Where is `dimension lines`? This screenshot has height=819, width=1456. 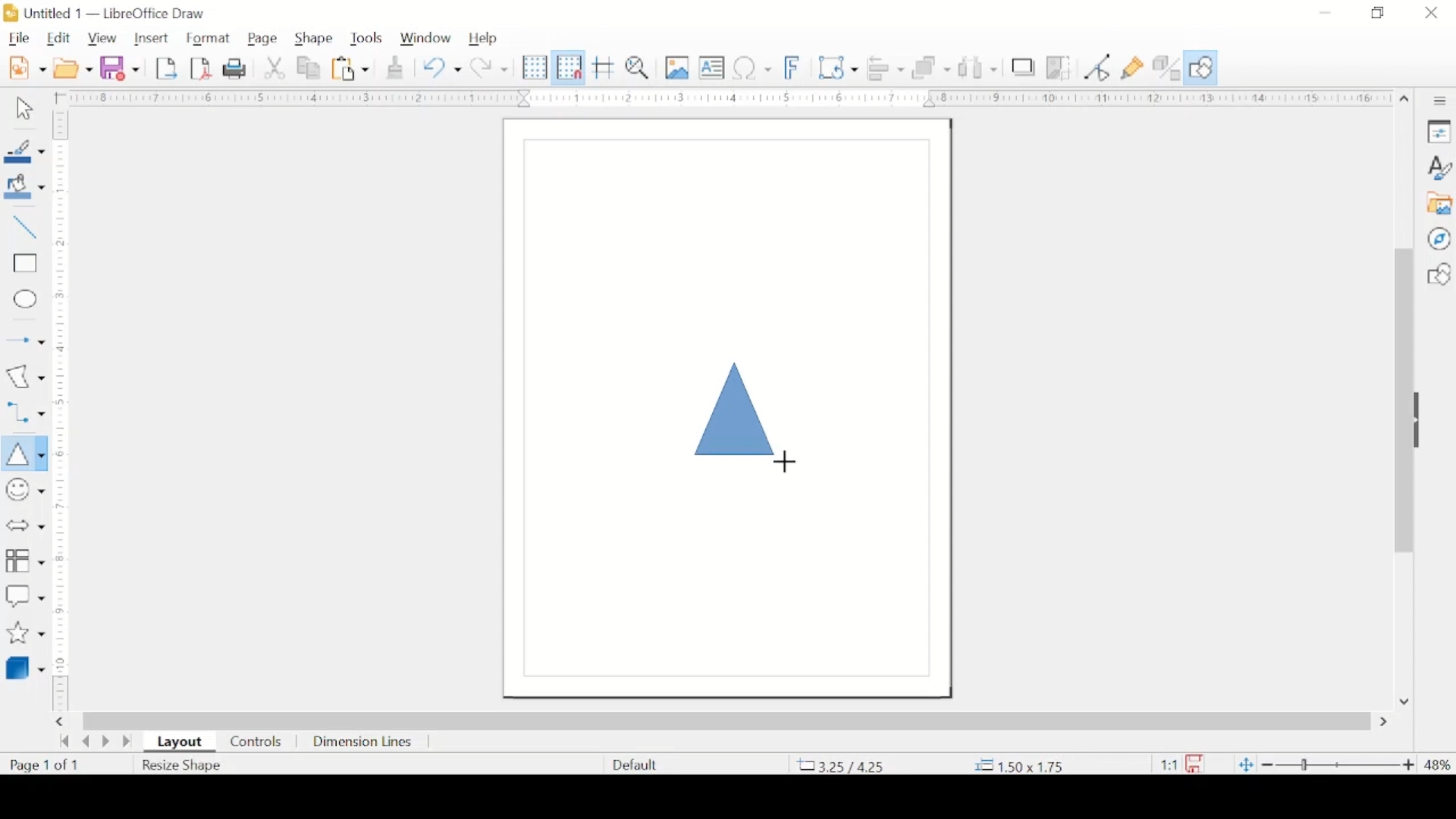
dimension lines is located at coordinates (365, 742).